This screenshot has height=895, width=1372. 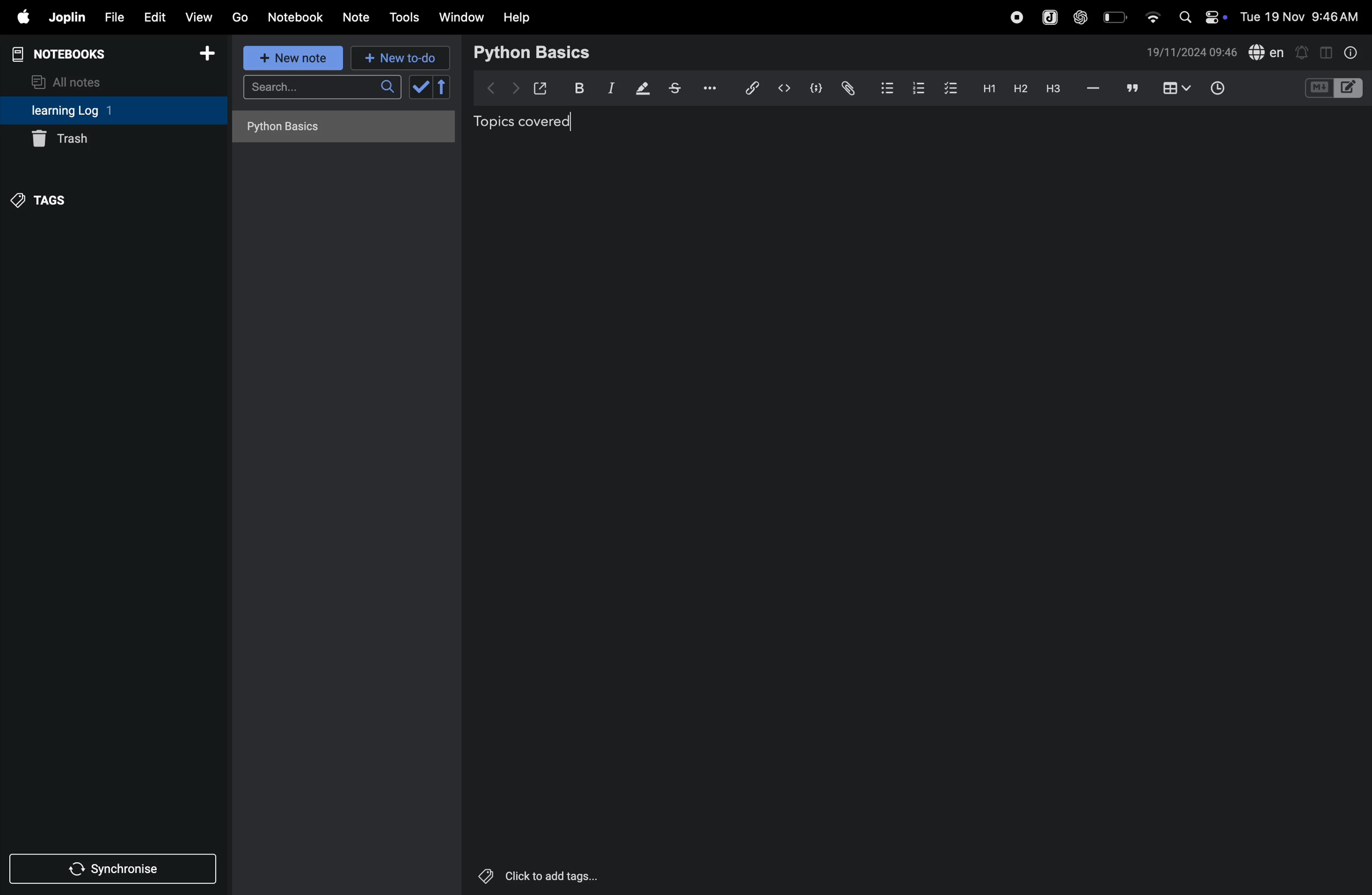 What do you see at coordinates (567, 126) in the screenshot?
I see `cursor` at bounding box center [567, 126].